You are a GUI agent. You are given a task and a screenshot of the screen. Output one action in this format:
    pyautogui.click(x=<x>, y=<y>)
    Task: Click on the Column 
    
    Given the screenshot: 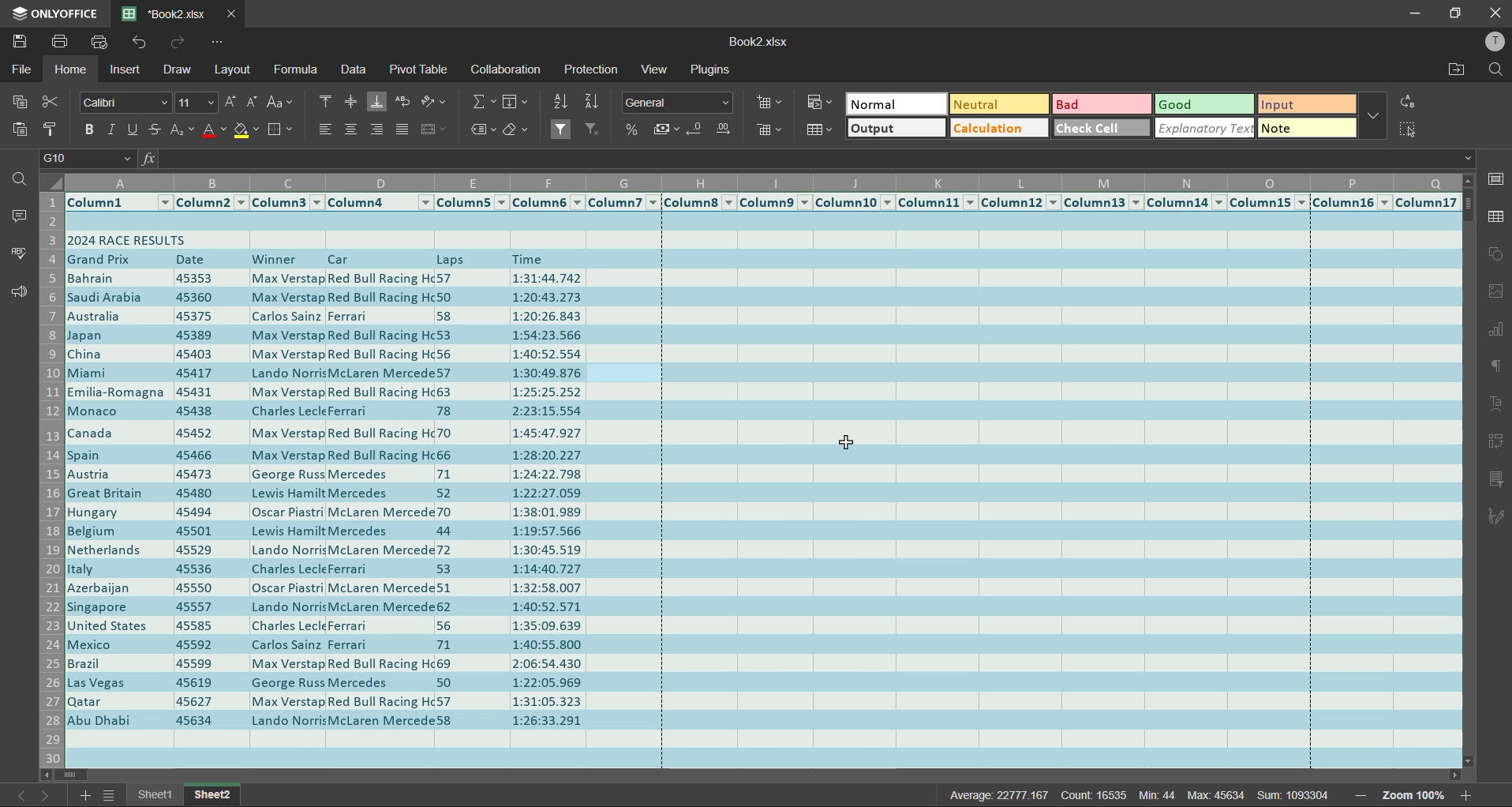 What is the action you would take?
    pyautogui.click(x=1103, y=204)
    